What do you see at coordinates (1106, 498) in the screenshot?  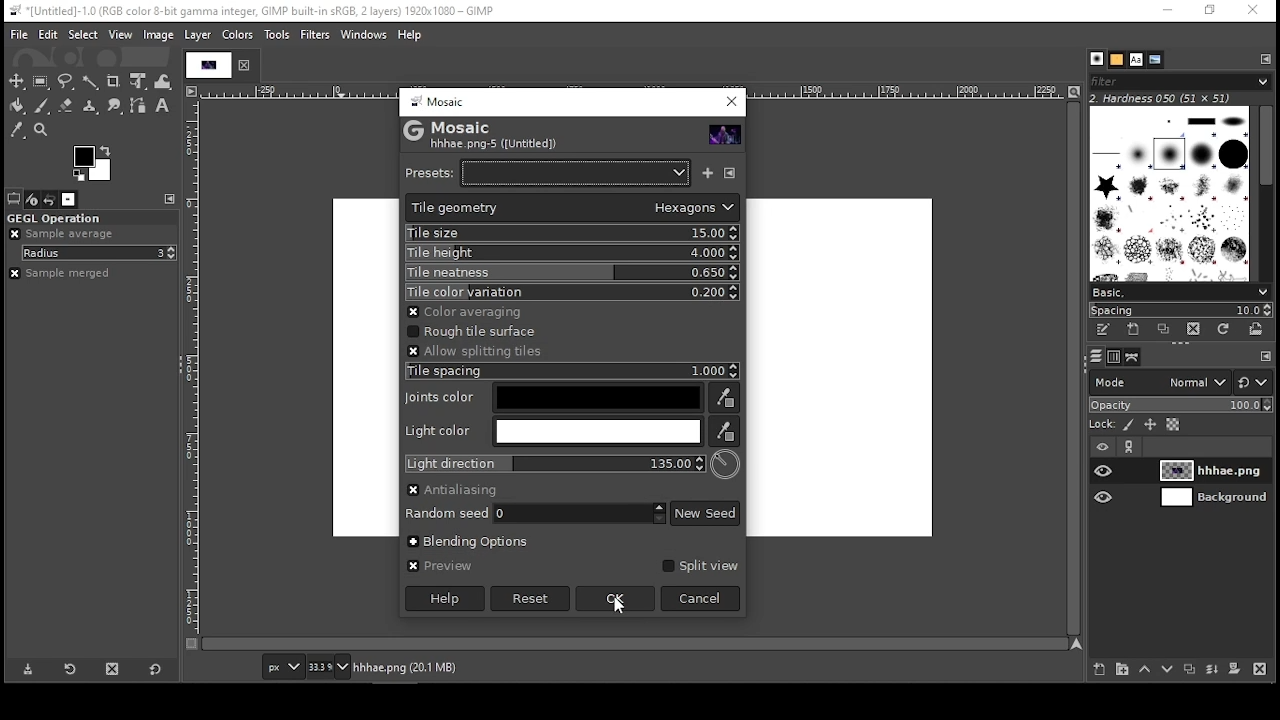 I see `layer visibility on/off` at bounding box center [1106, 498].